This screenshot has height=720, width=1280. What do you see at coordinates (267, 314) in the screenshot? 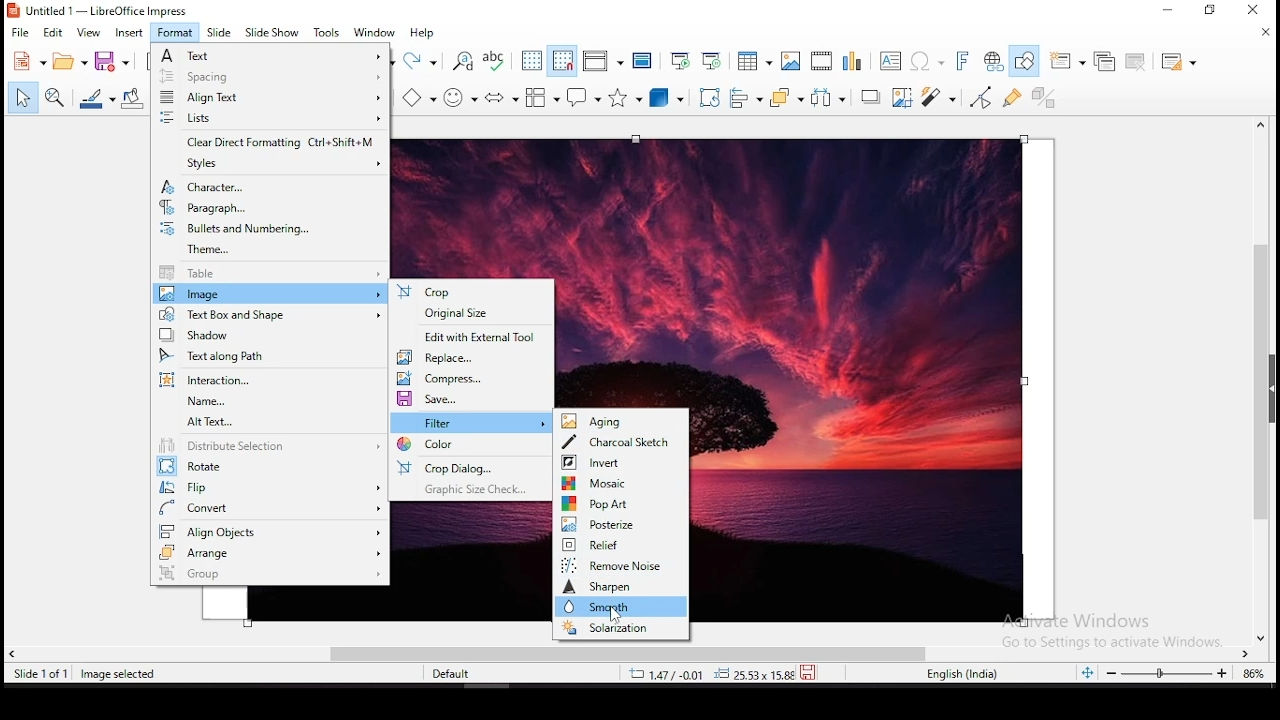
I see `text box and shape` at bounding box center [267, 314].